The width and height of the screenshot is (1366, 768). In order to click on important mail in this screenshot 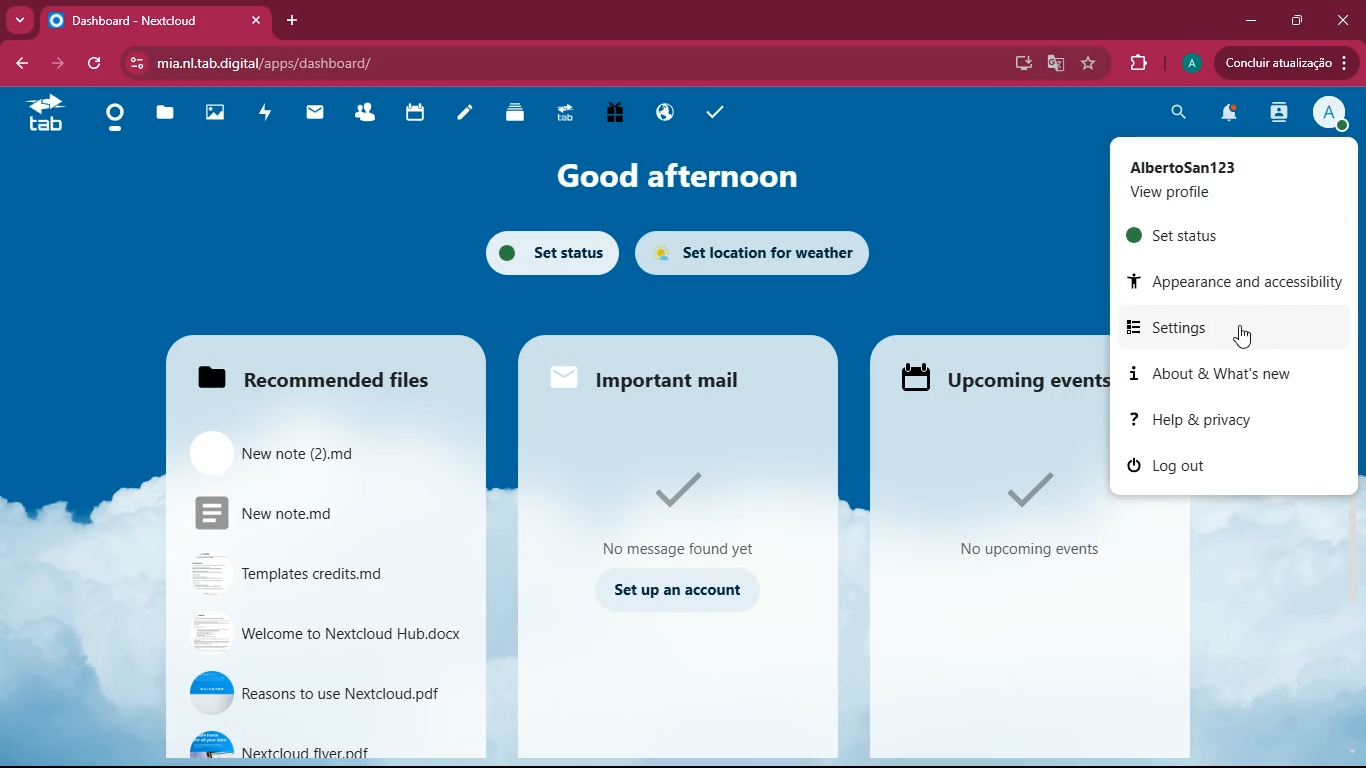, I will do `click(669, 374)`.